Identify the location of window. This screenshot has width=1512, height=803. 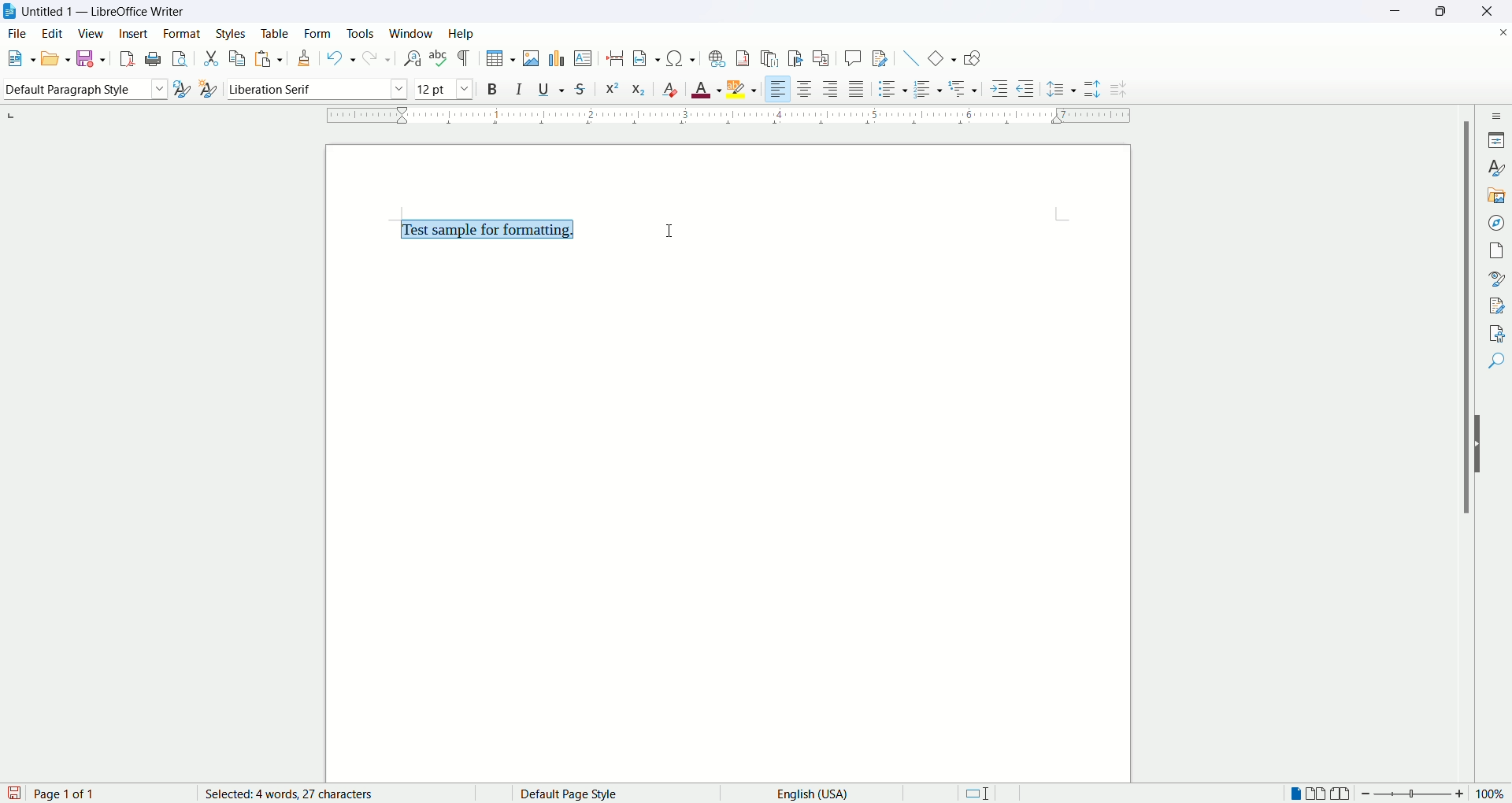
(413, 35).